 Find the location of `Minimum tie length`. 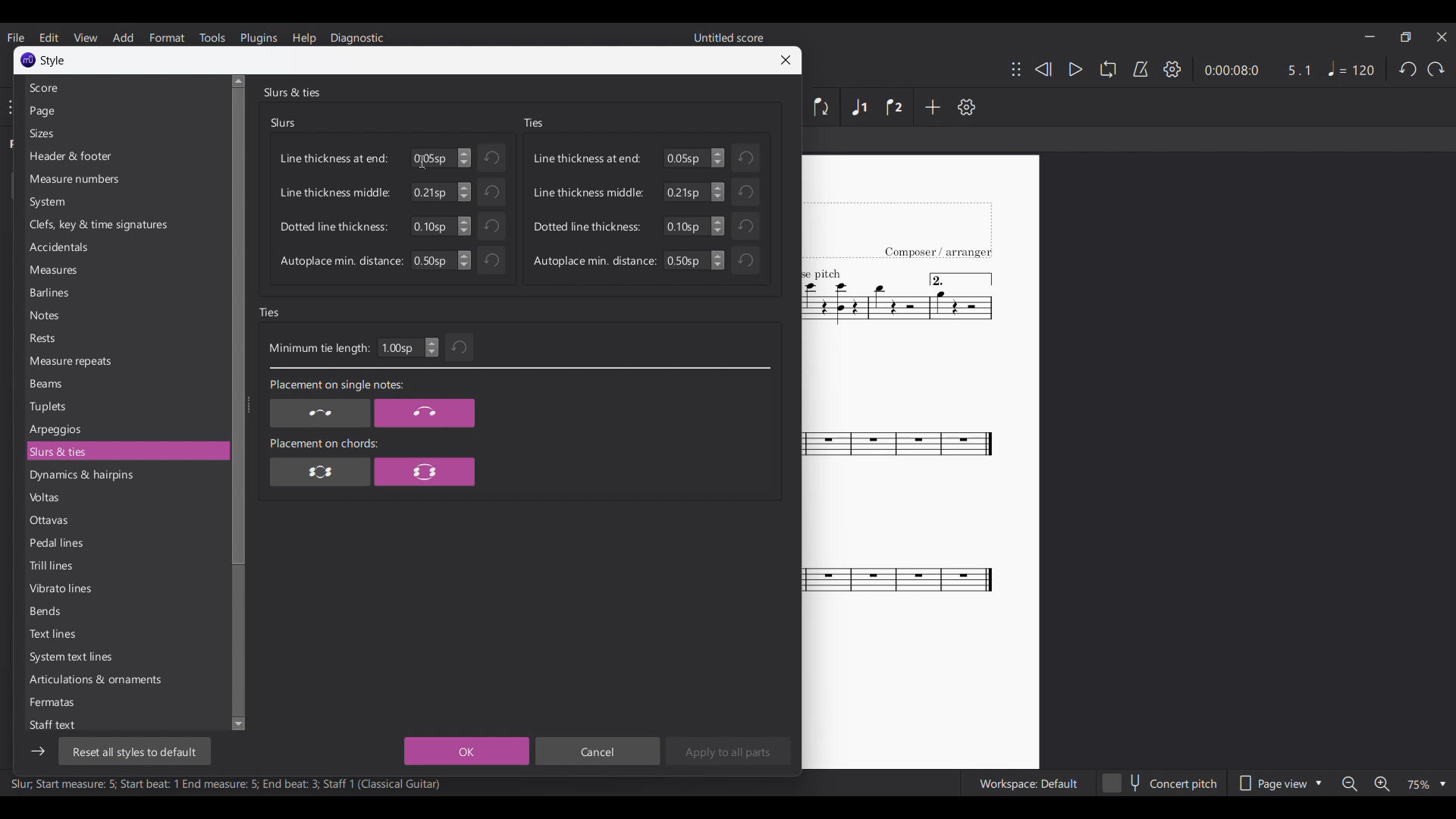

Minimum tie length is located at coordinates (318, 349).